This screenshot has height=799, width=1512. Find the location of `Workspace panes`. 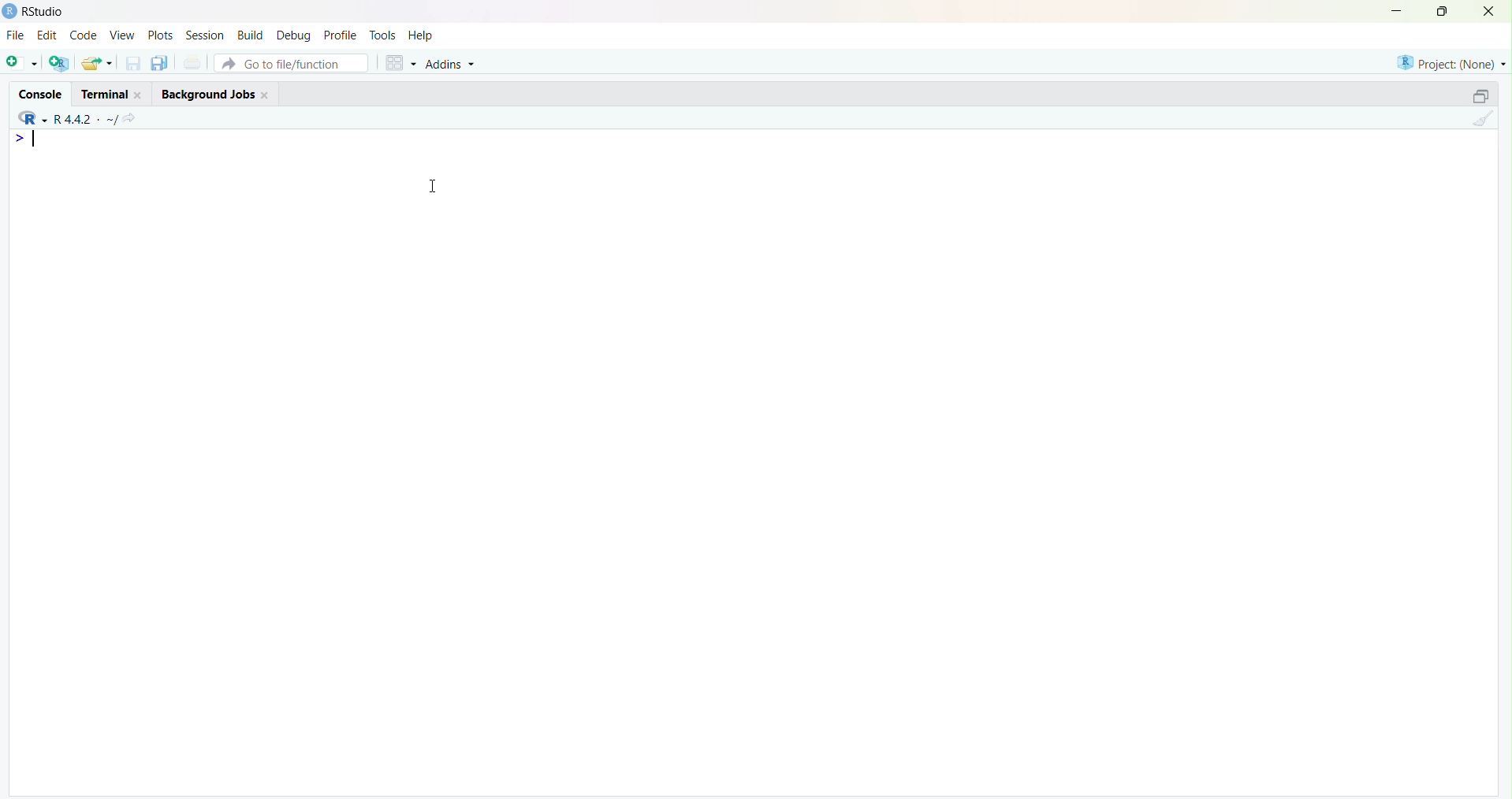

Workspace panes is located at coordinates (397, 61).